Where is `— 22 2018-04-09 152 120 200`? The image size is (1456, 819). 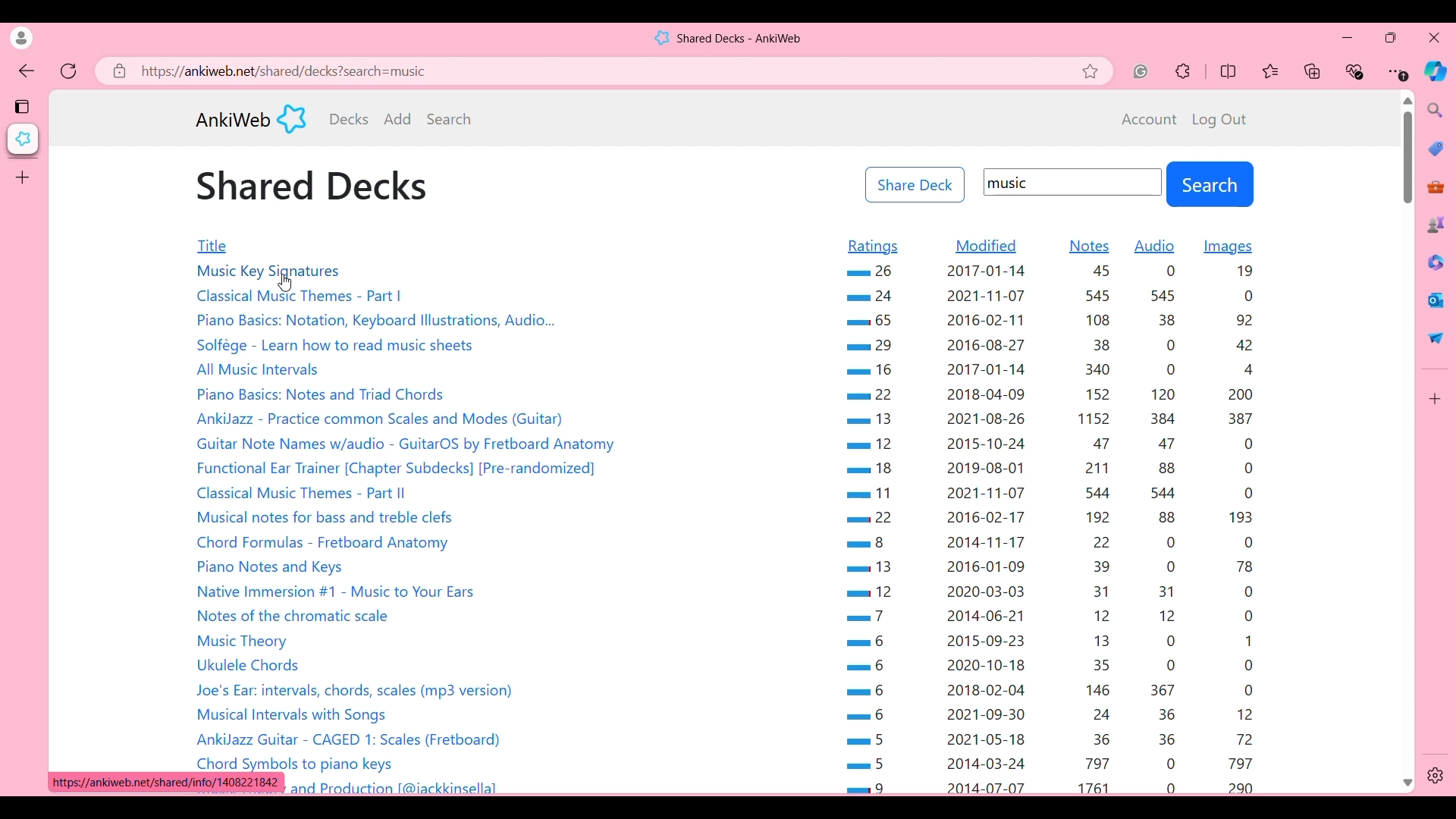 — 22 2018-04-09 152 120 200 is located at coordinates (1049, 395).